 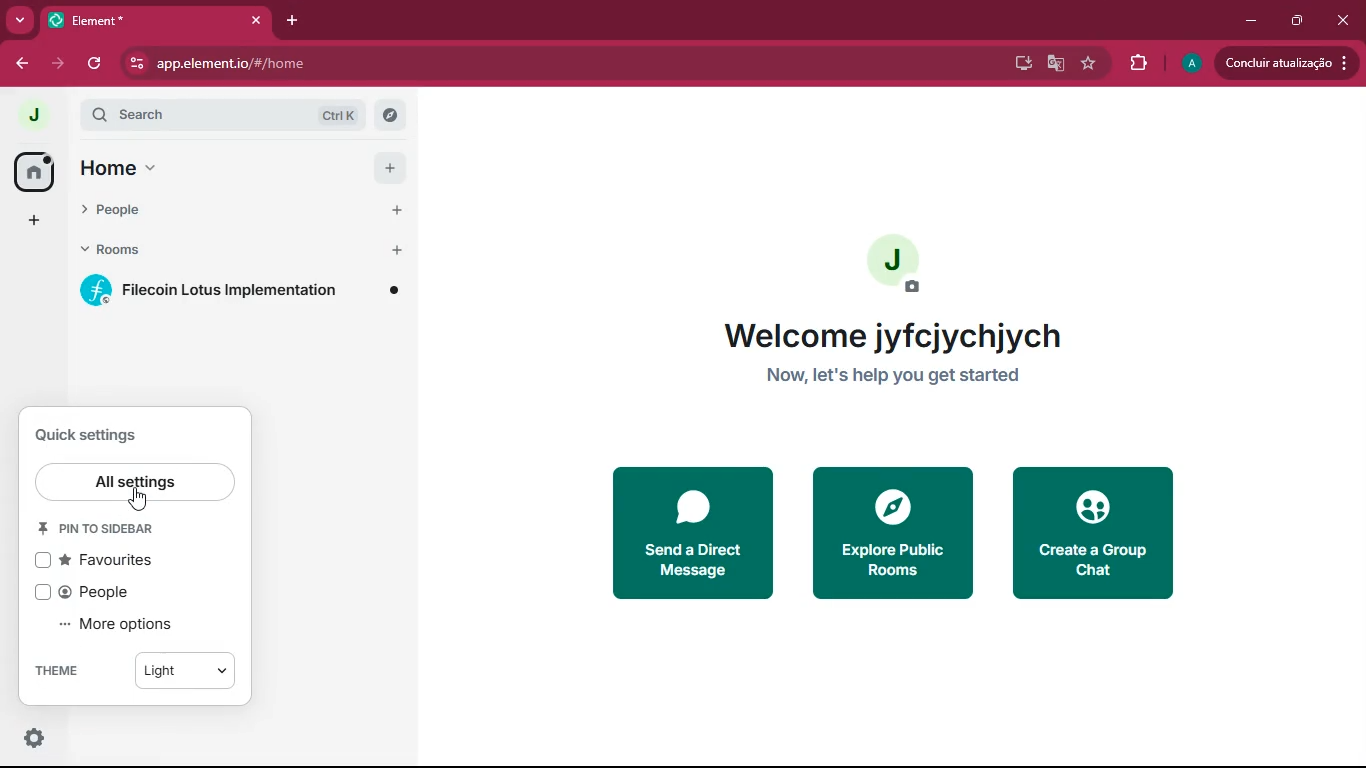 What do you see at coordinates (134, 21) in the screenshot?
I see `tab` at bounding box center [134, 21].